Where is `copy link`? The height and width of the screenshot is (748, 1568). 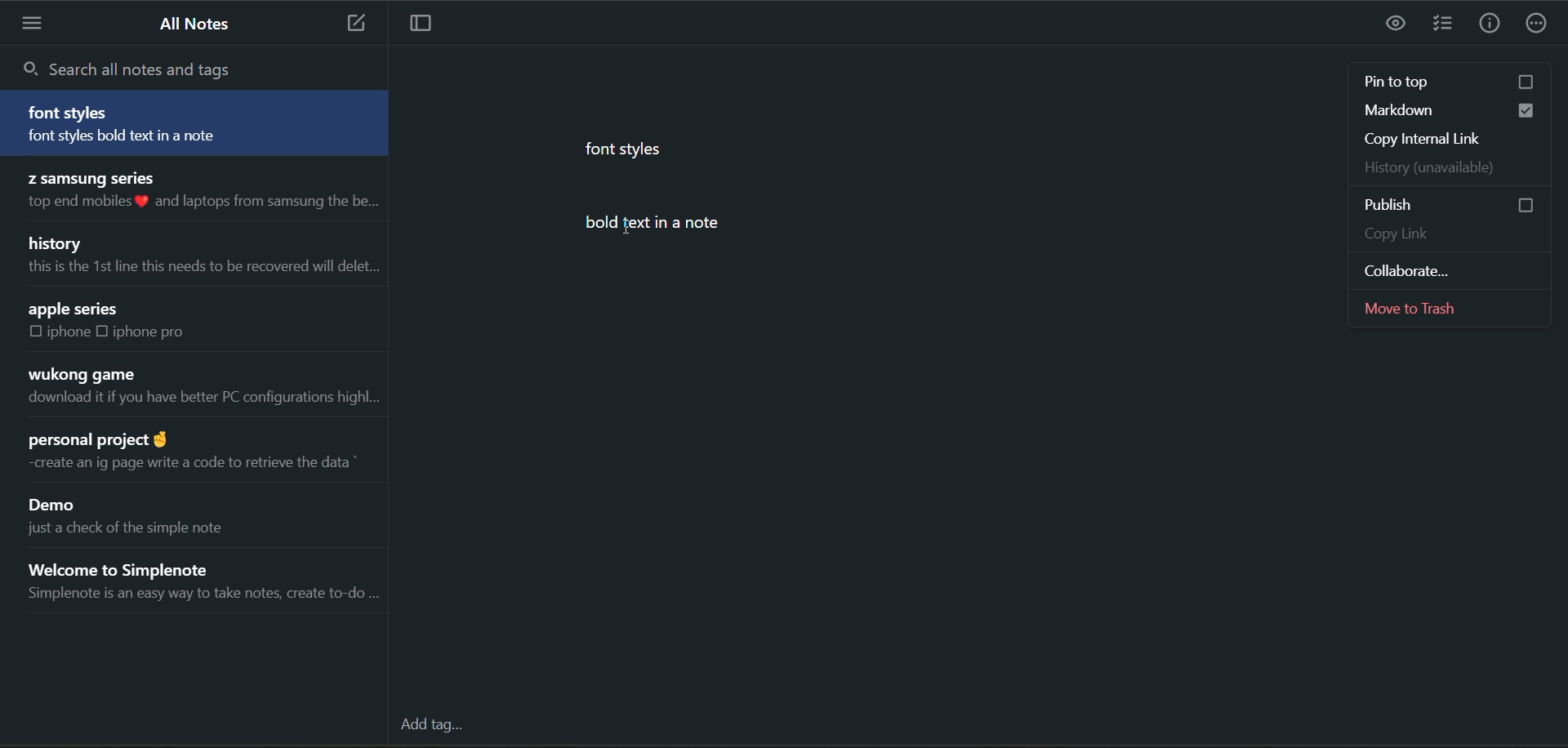 copy link is located at coordinates (1450, 237).